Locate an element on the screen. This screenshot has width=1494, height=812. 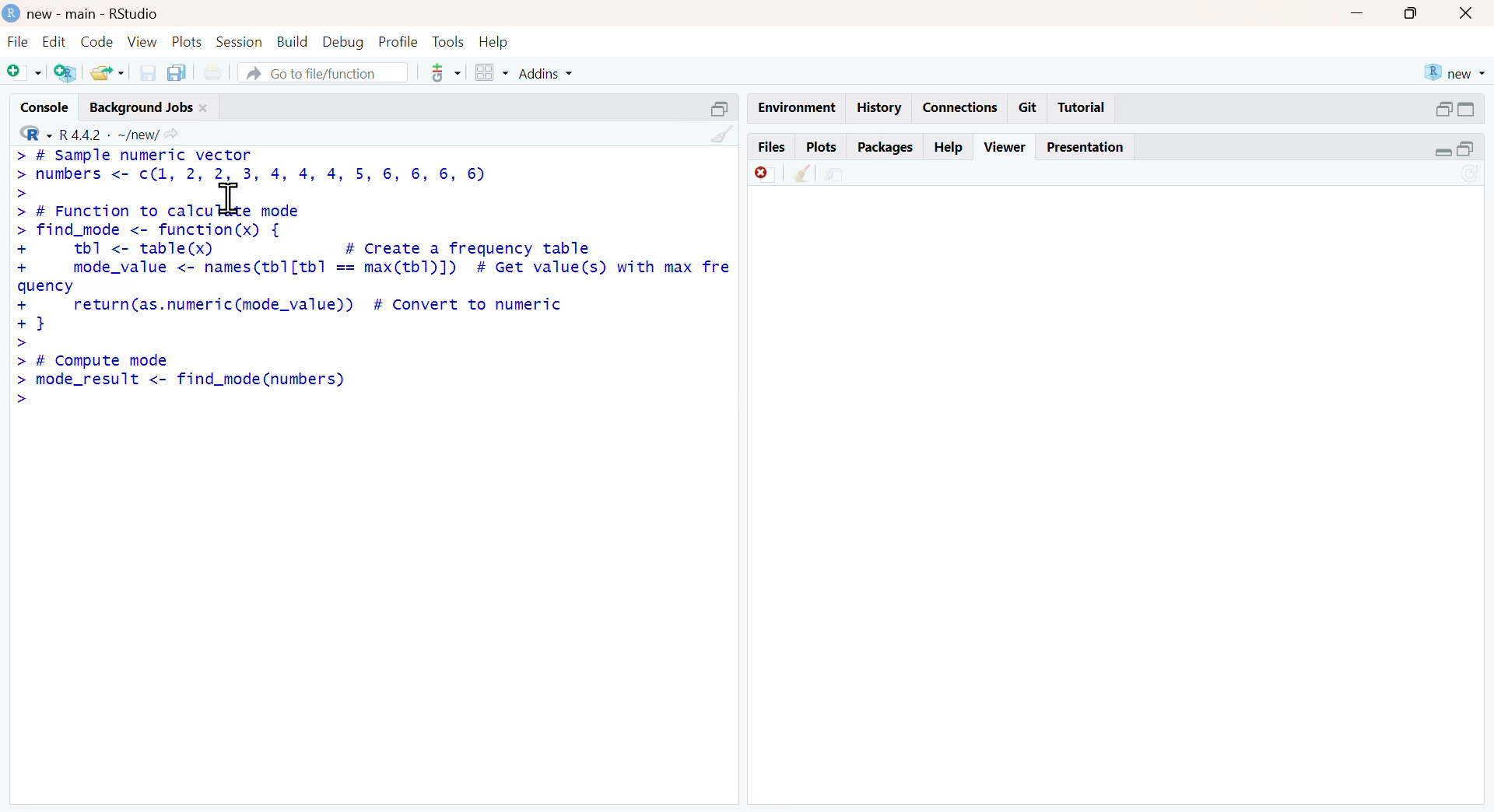
enviornment is located at coordinates (798, 107).